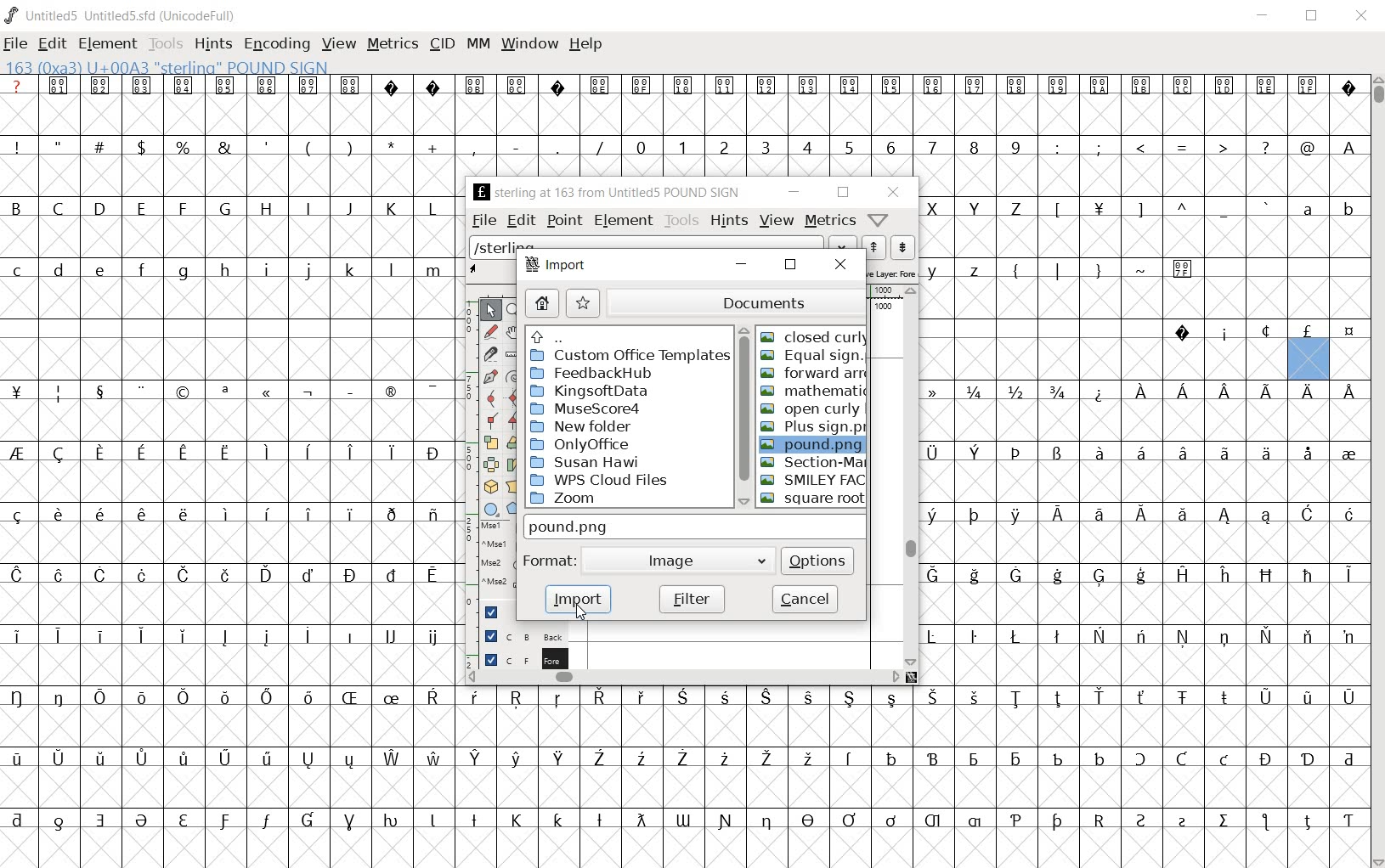 The width and height of the screenshot is (1385, 868). Describe the element at coordinates (682, 759) in the screenshot. I see `Symbol` at that location.